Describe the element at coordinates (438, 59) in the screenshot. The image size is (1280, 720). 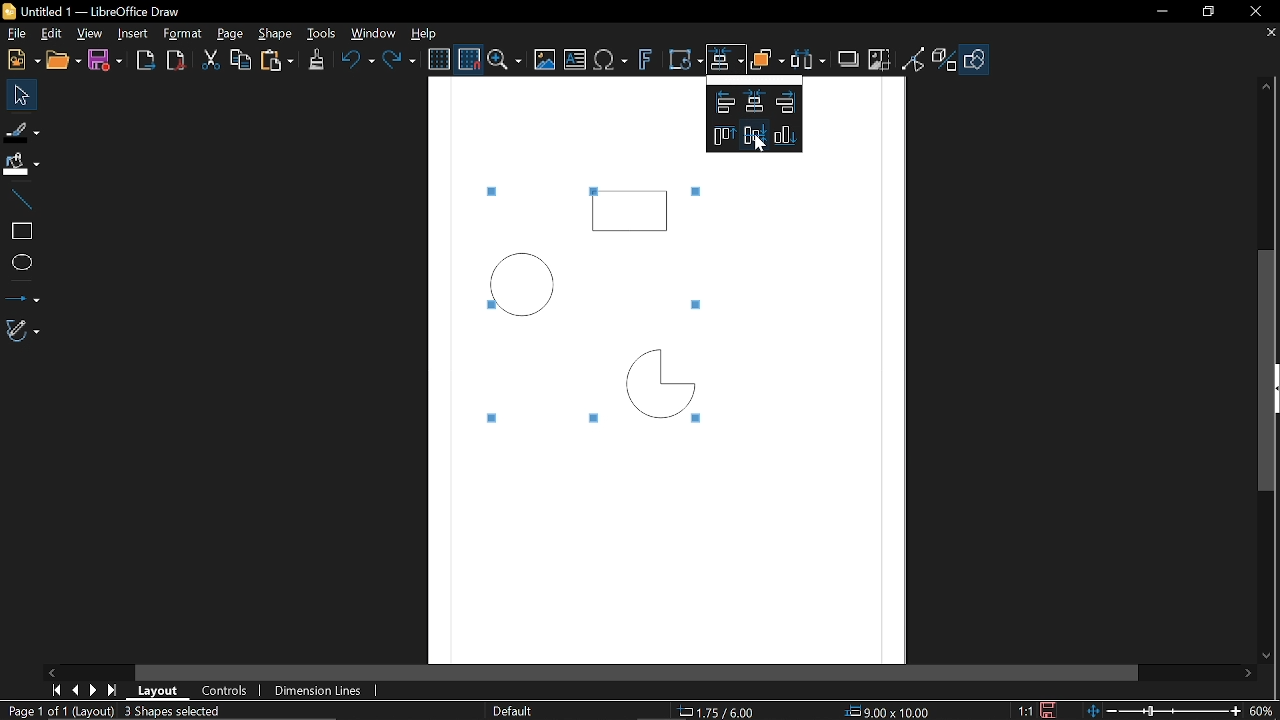
I see `Display grid` at that location.